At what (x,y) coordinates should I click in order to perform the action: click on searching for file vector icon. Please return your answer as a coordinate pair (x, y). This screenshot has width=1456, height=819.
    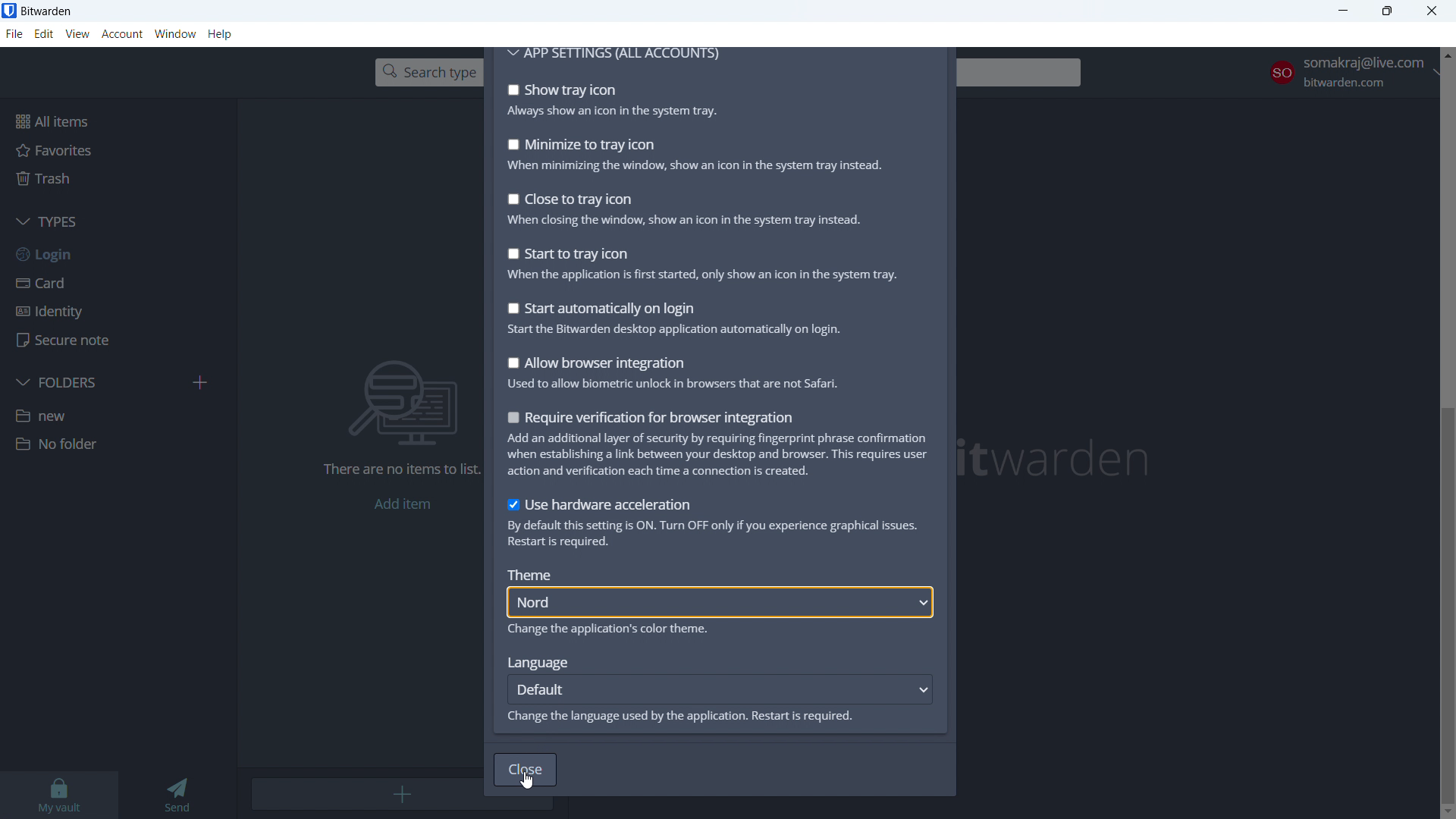
    Looking at the image, I should click on (404, 404).